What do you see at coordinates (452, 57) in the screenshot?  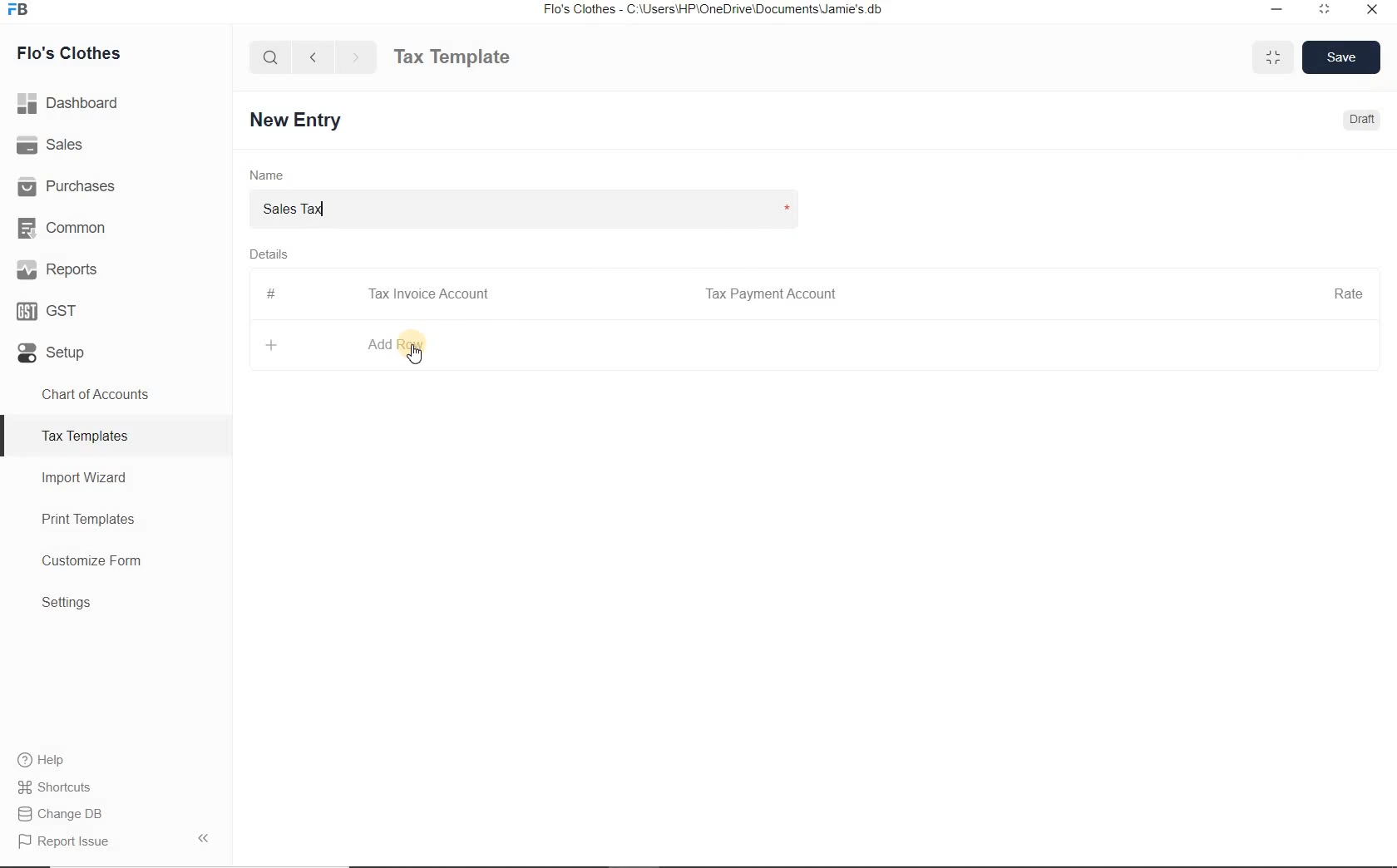 I see `Tax Template` at bounding box center [452, 57].